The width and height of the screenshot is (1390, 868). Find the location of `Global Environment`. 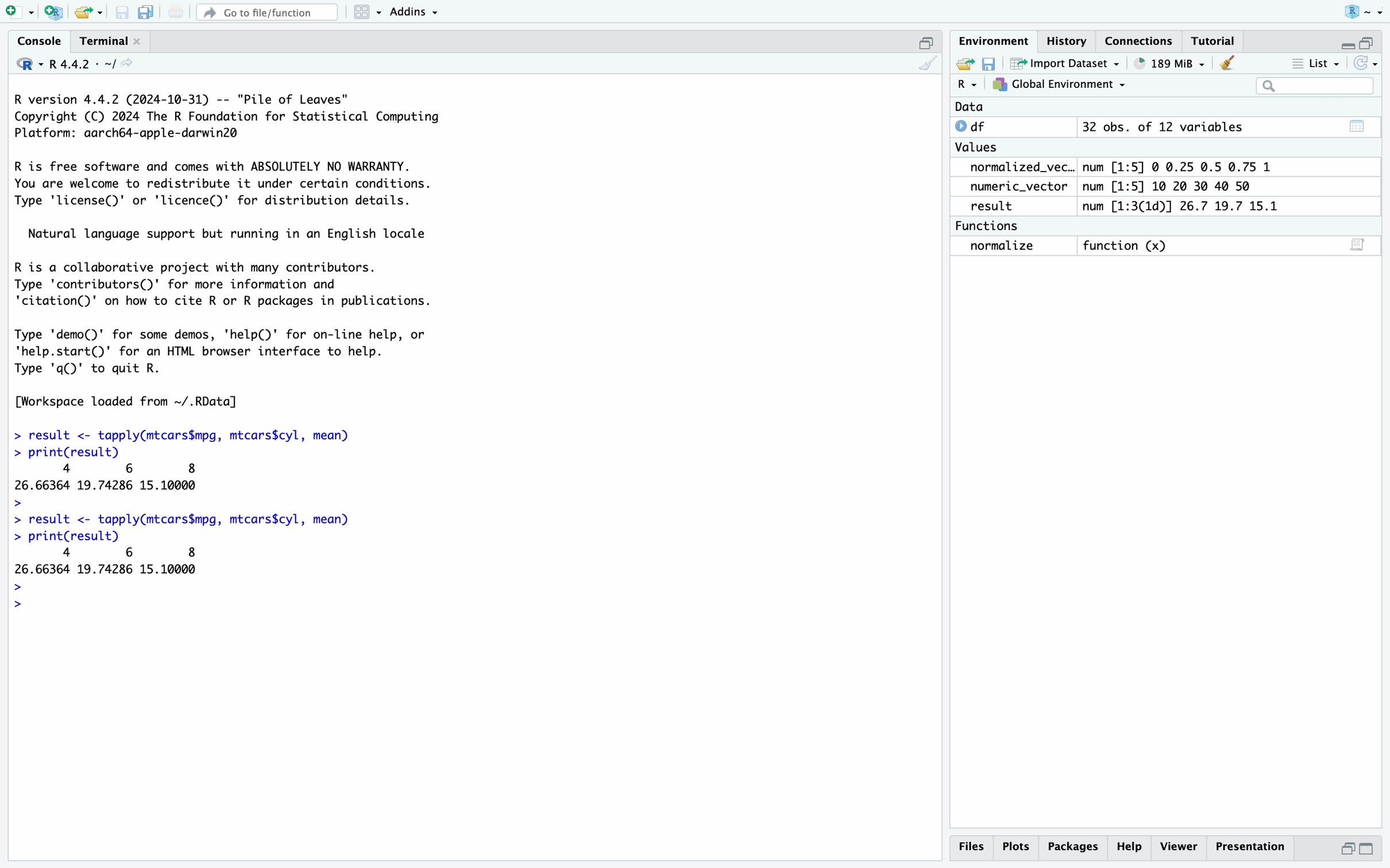

Global Environment is located at coordinates (1057, 85).